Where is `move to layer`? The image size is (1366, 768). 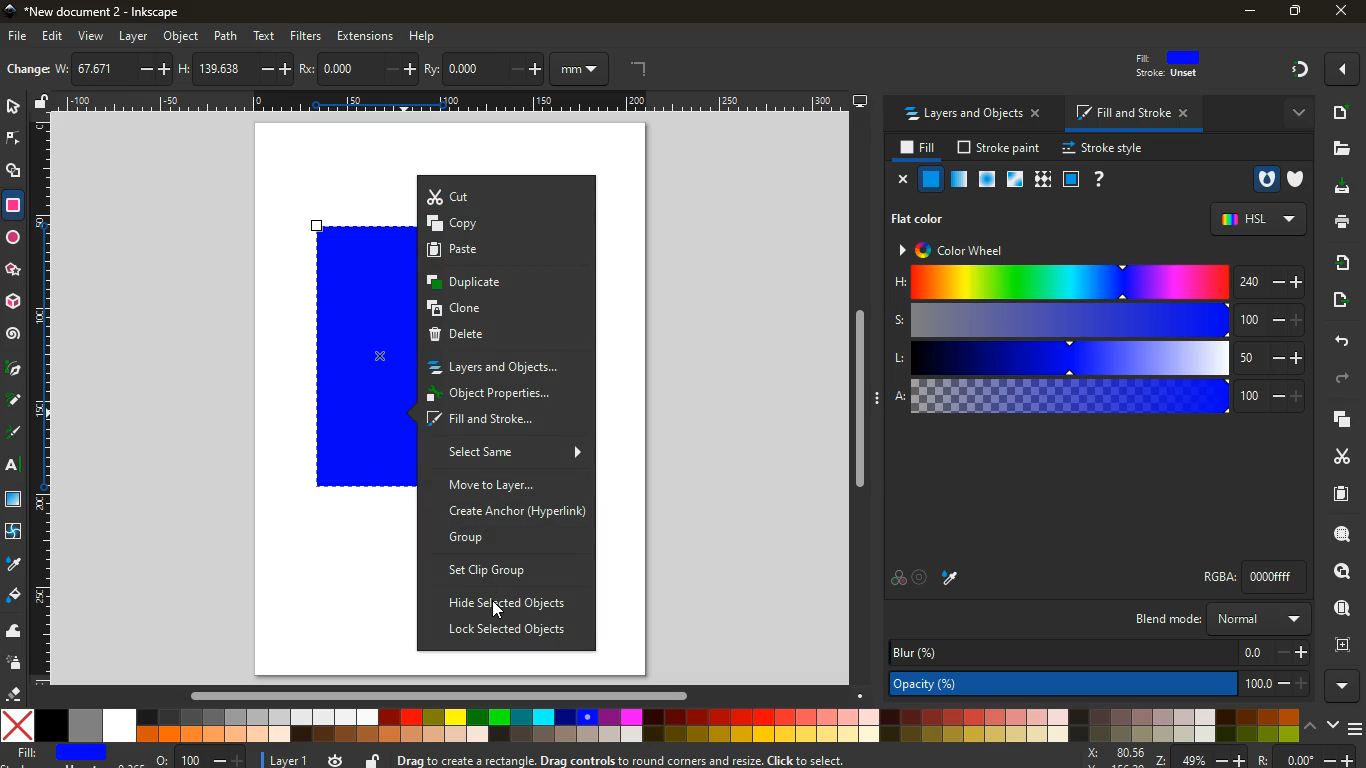 move to layer is located at coordinates (502, 485).